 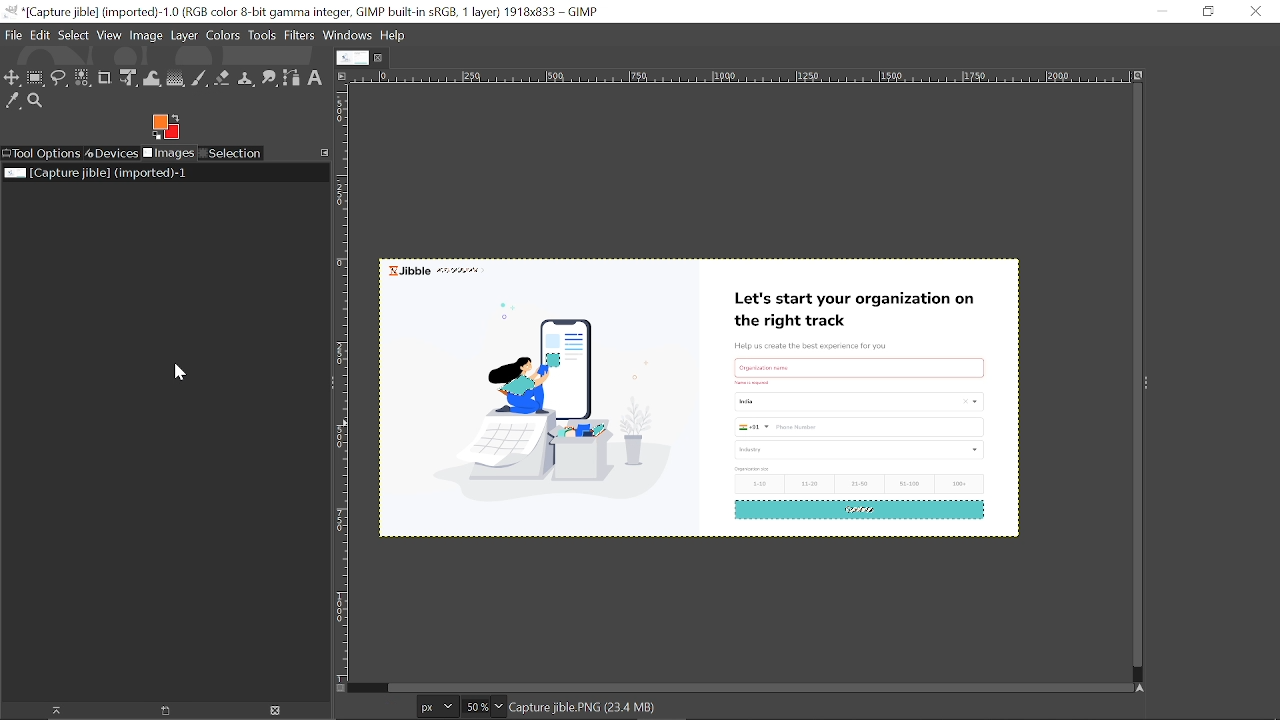 What do you see at coordinates (1136, 77) in the screenshot?
I see `Zoom when window size changes` at bounding box center [1136, 77].